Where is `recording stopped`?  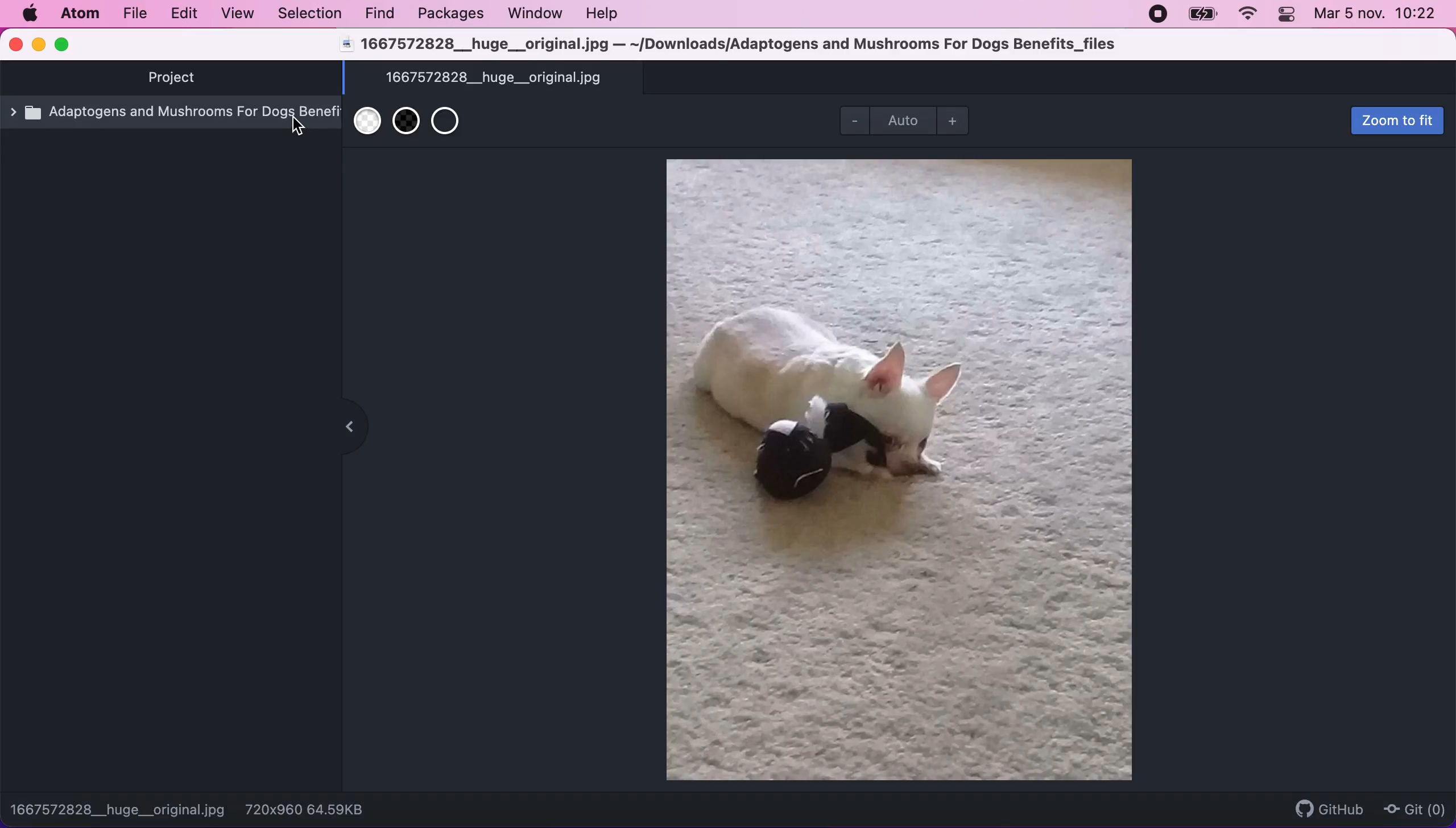 recording stopped is located at coordinates (1159, 15).